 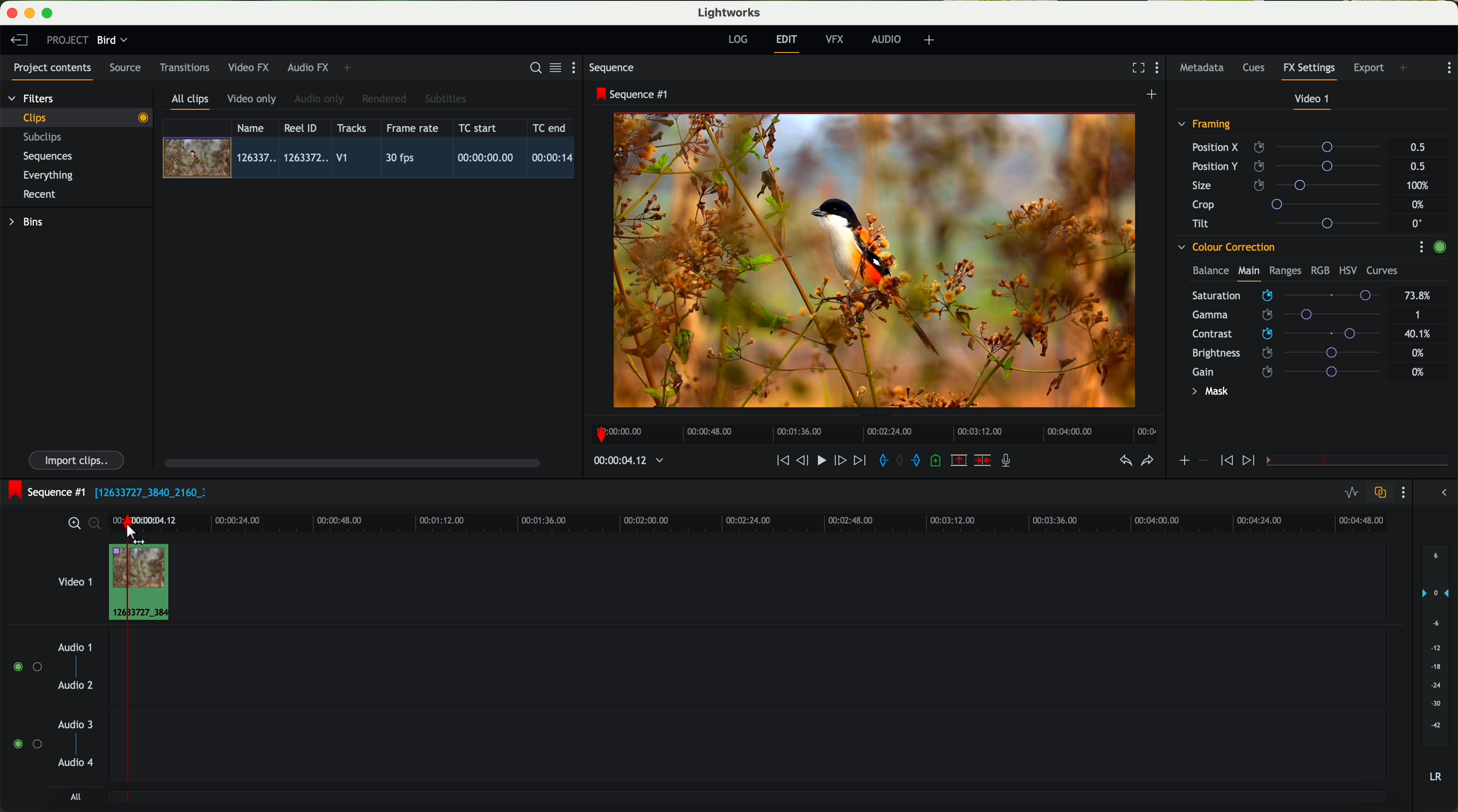 What do you see at coordinates (880, 462) in the screenshot?
I see `add 'in' mark` at bounding box center [880, 462].